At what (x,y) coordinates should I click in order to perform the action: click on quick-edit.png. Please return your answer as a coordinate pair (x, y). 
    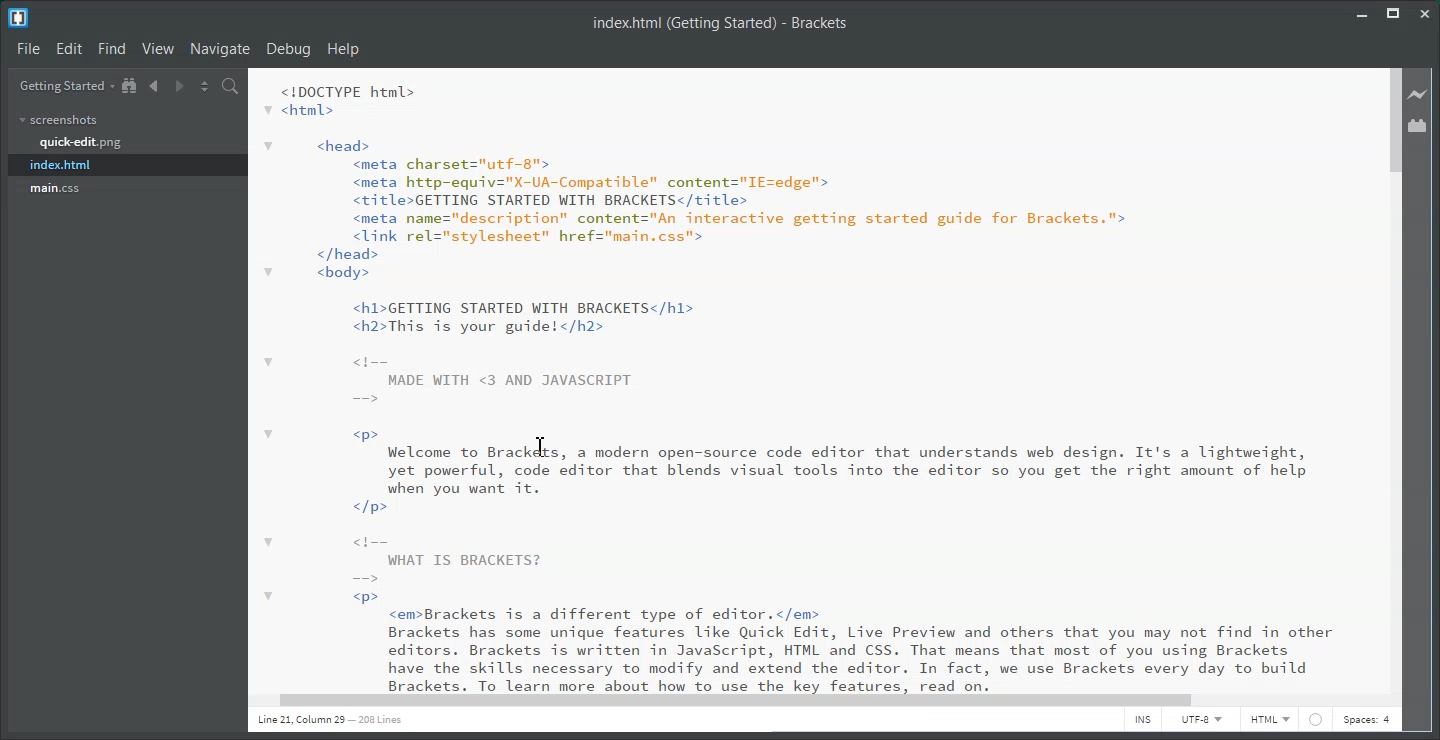
    Looking at the image, I should click on (80, 143).